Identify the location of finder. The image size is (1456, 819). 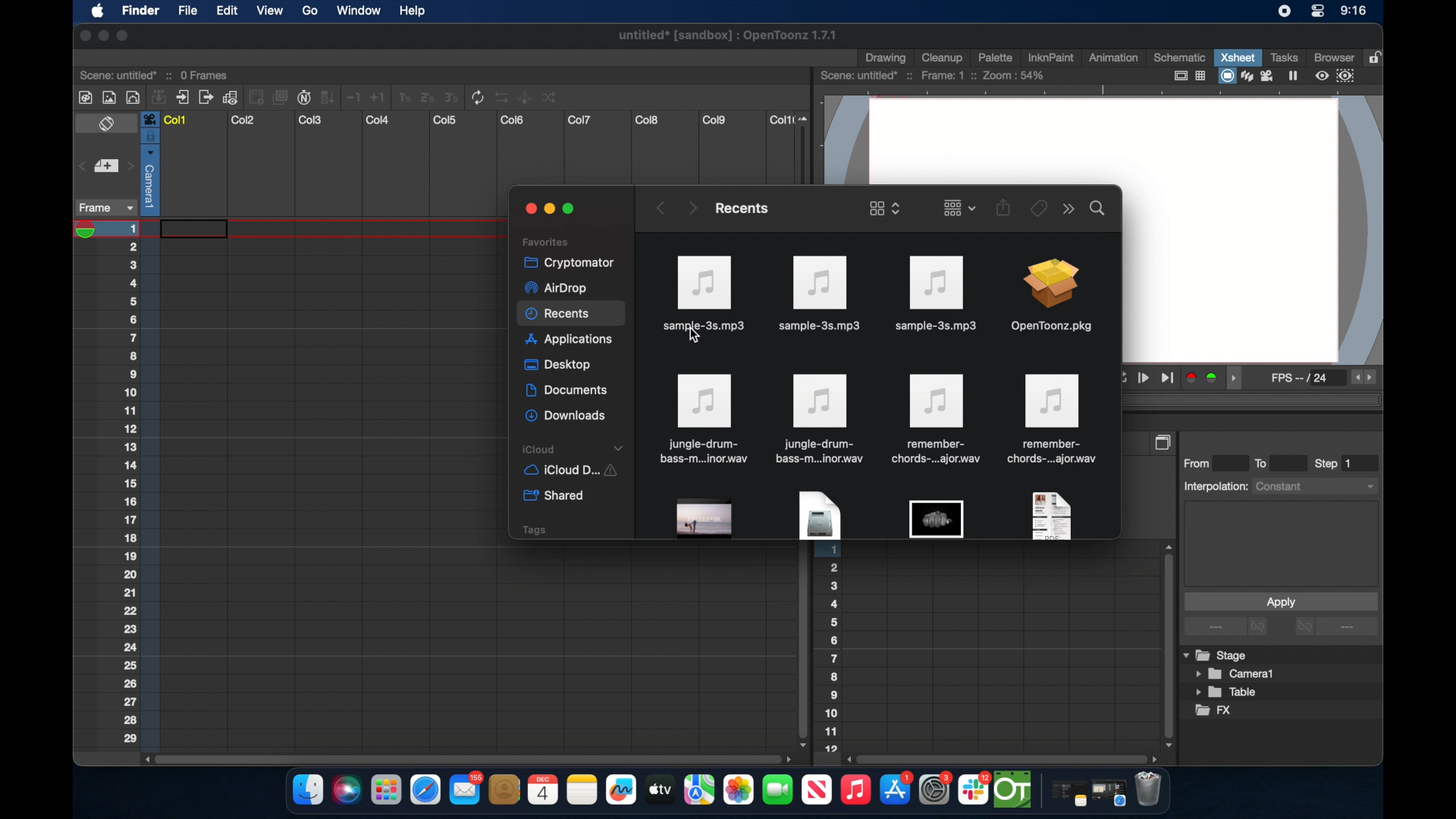
(140, 12).